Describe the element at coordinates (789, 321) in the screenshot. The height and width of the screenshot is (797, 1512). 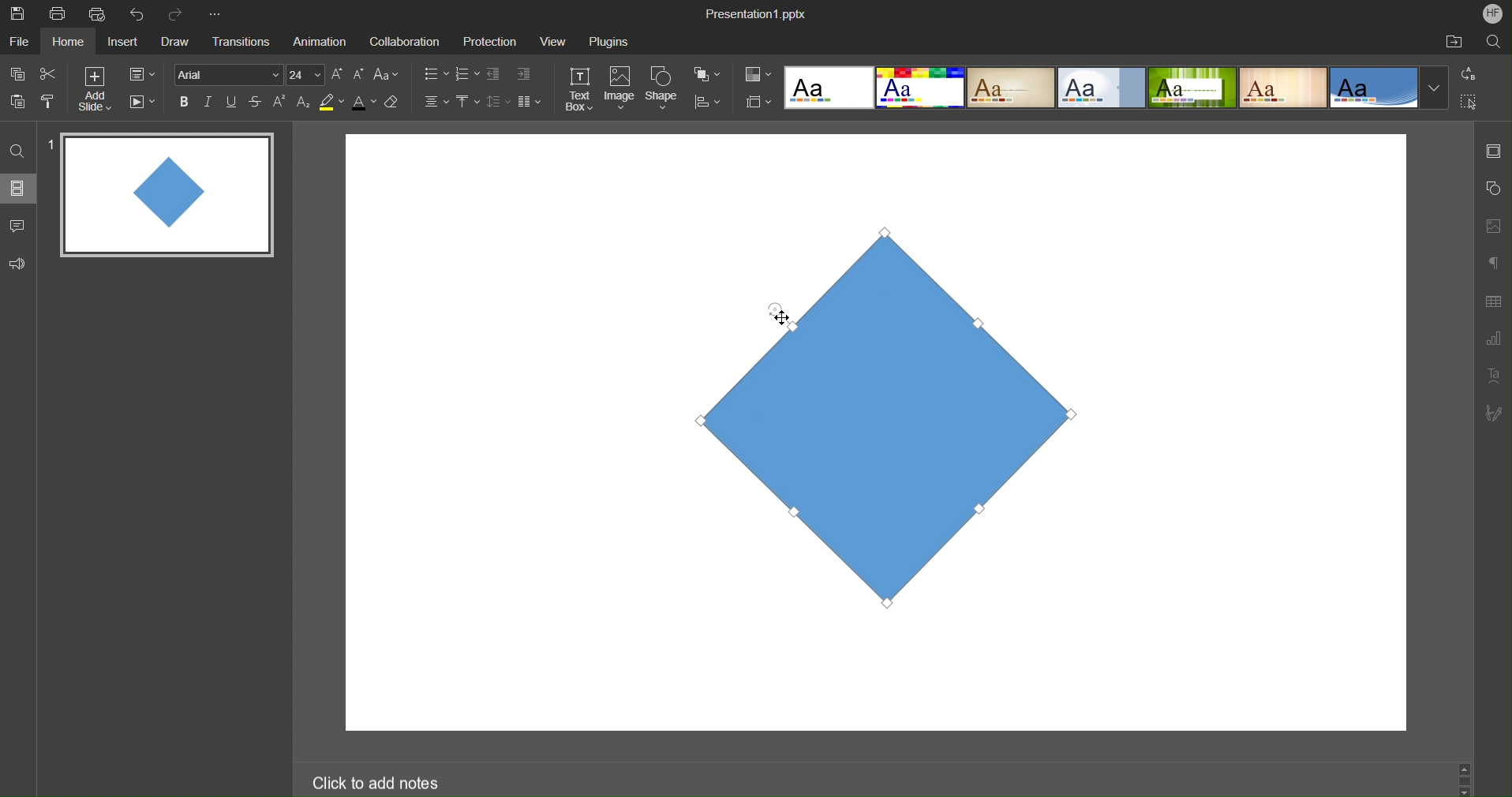
I see `Cursor` at that location.